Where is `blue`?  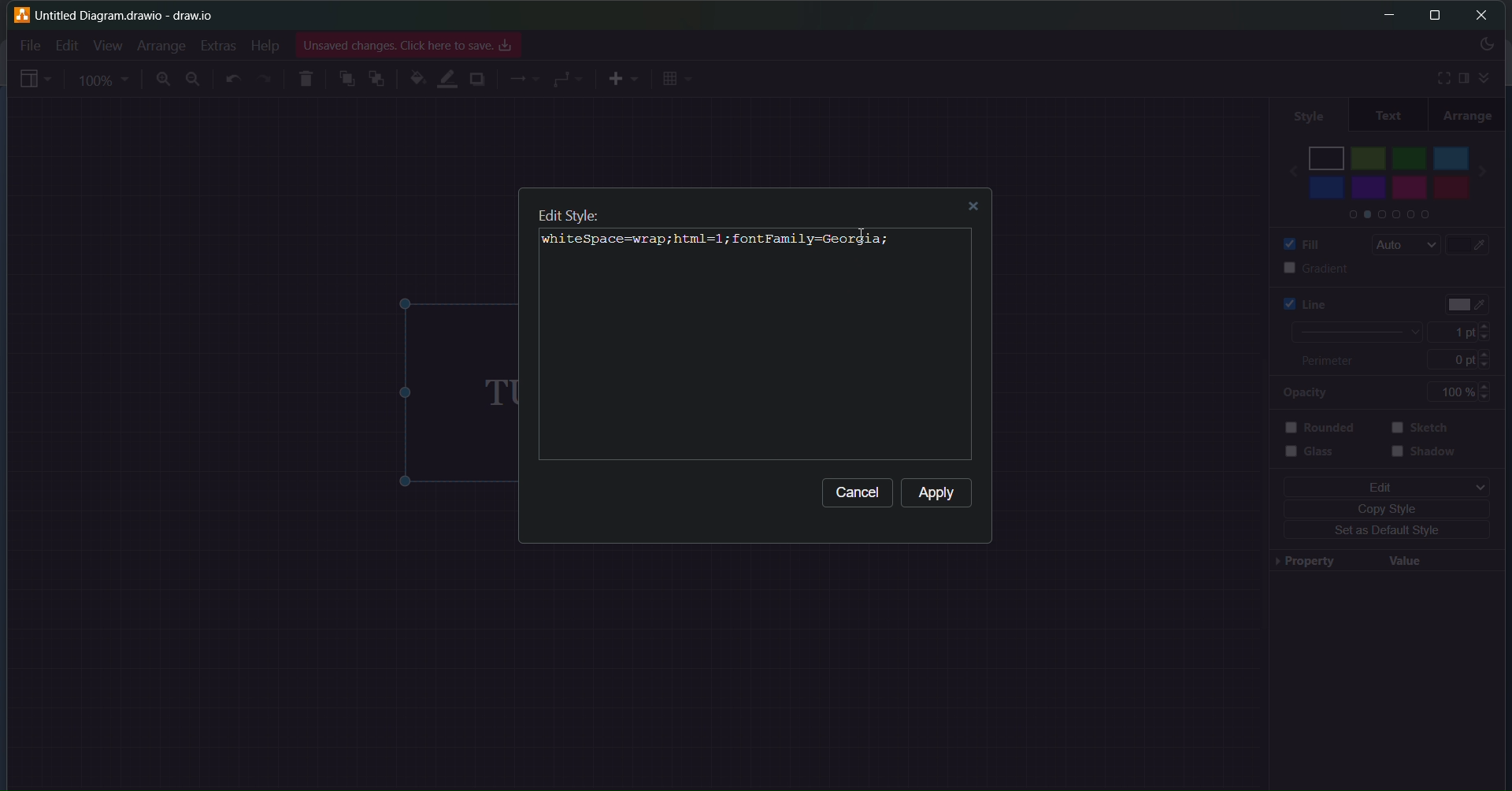 blue is located at coordinates (1326, 188).